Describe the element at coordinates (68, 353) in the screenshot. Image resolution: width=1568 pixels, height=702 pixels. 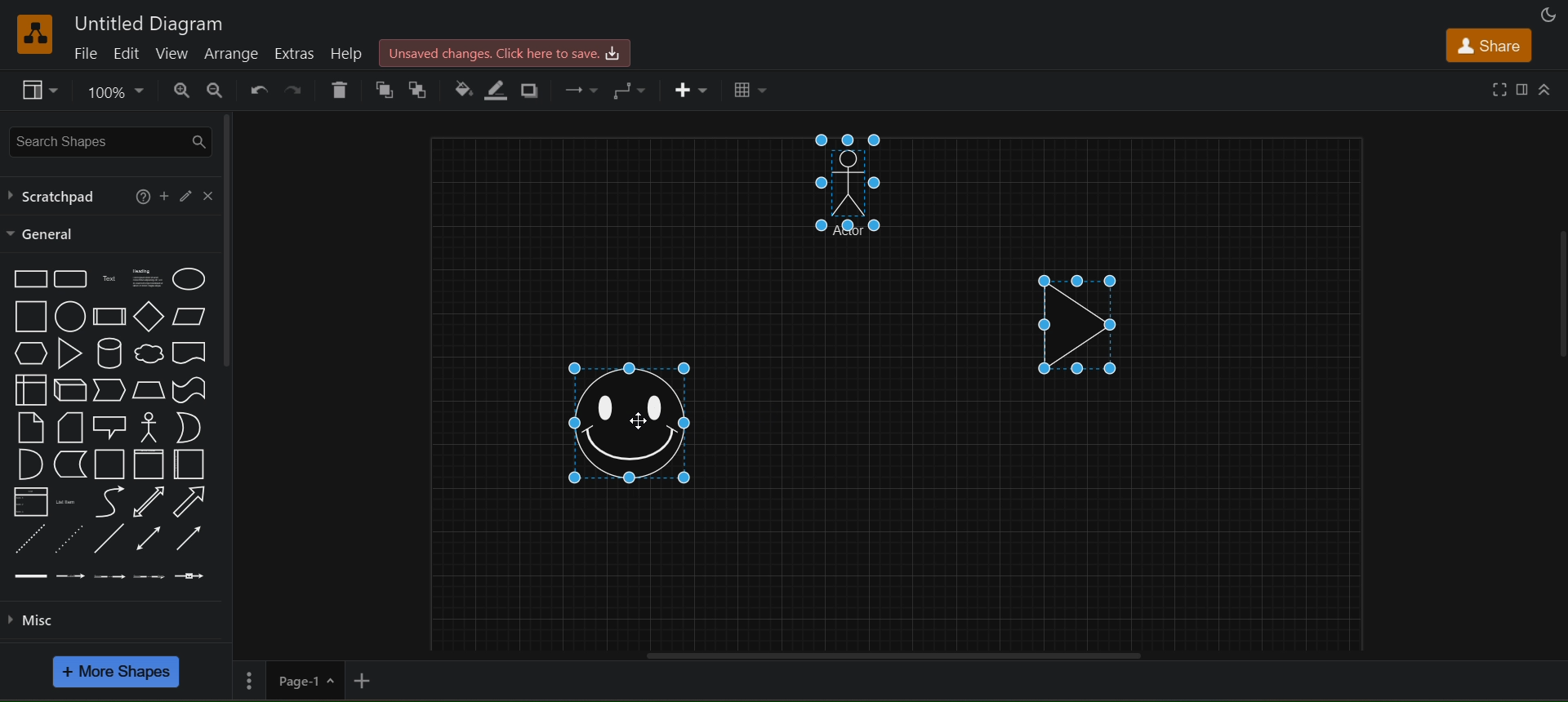
I see `triangle` at that location.